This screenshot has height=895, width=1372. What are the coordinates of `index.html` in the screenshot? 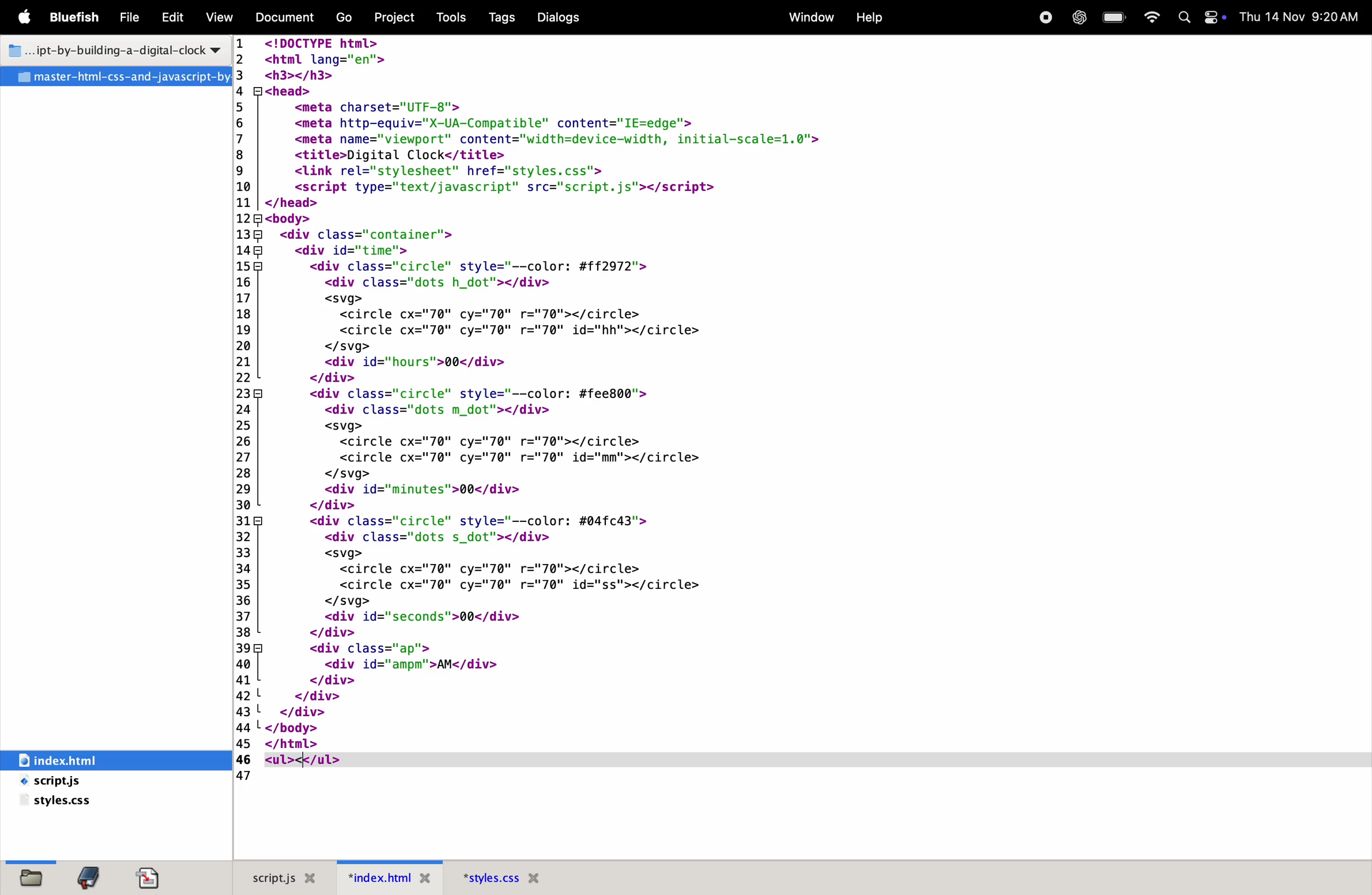 It's located at (392, 877).